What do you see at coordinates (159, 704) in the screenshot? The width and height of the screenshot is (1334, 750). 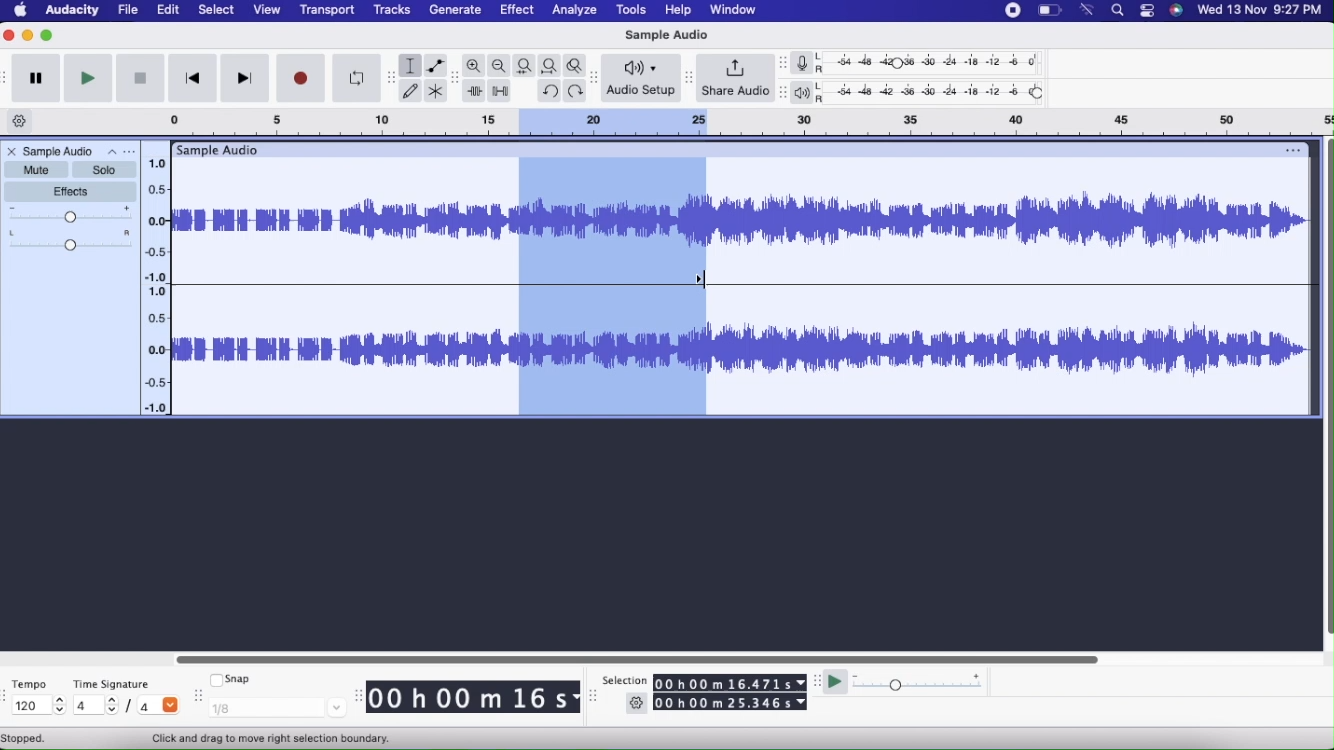 I see `4` at bounding box center [159, 704].